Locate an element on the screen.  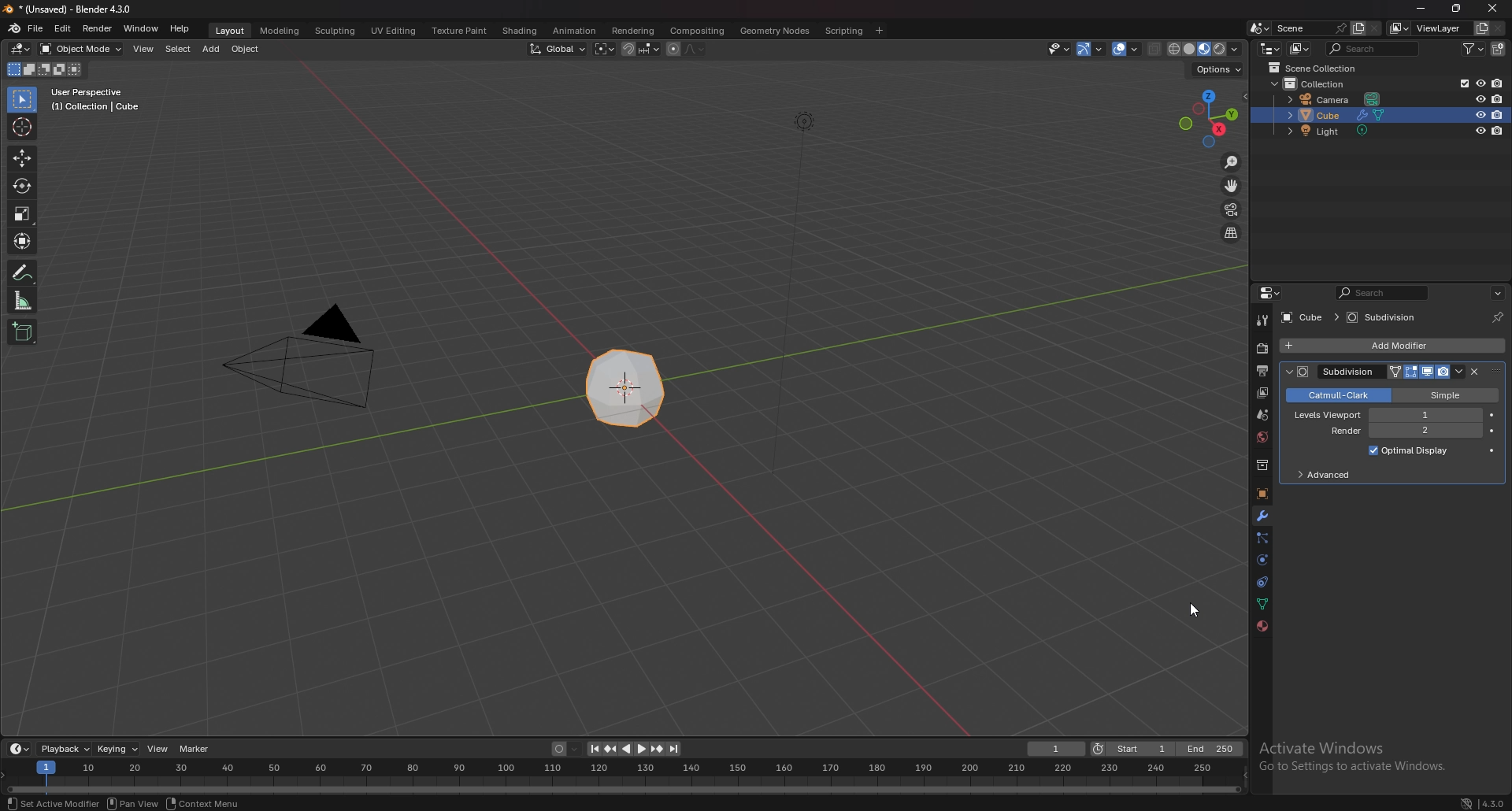
scene collection is located at coordinates (1319, 68).